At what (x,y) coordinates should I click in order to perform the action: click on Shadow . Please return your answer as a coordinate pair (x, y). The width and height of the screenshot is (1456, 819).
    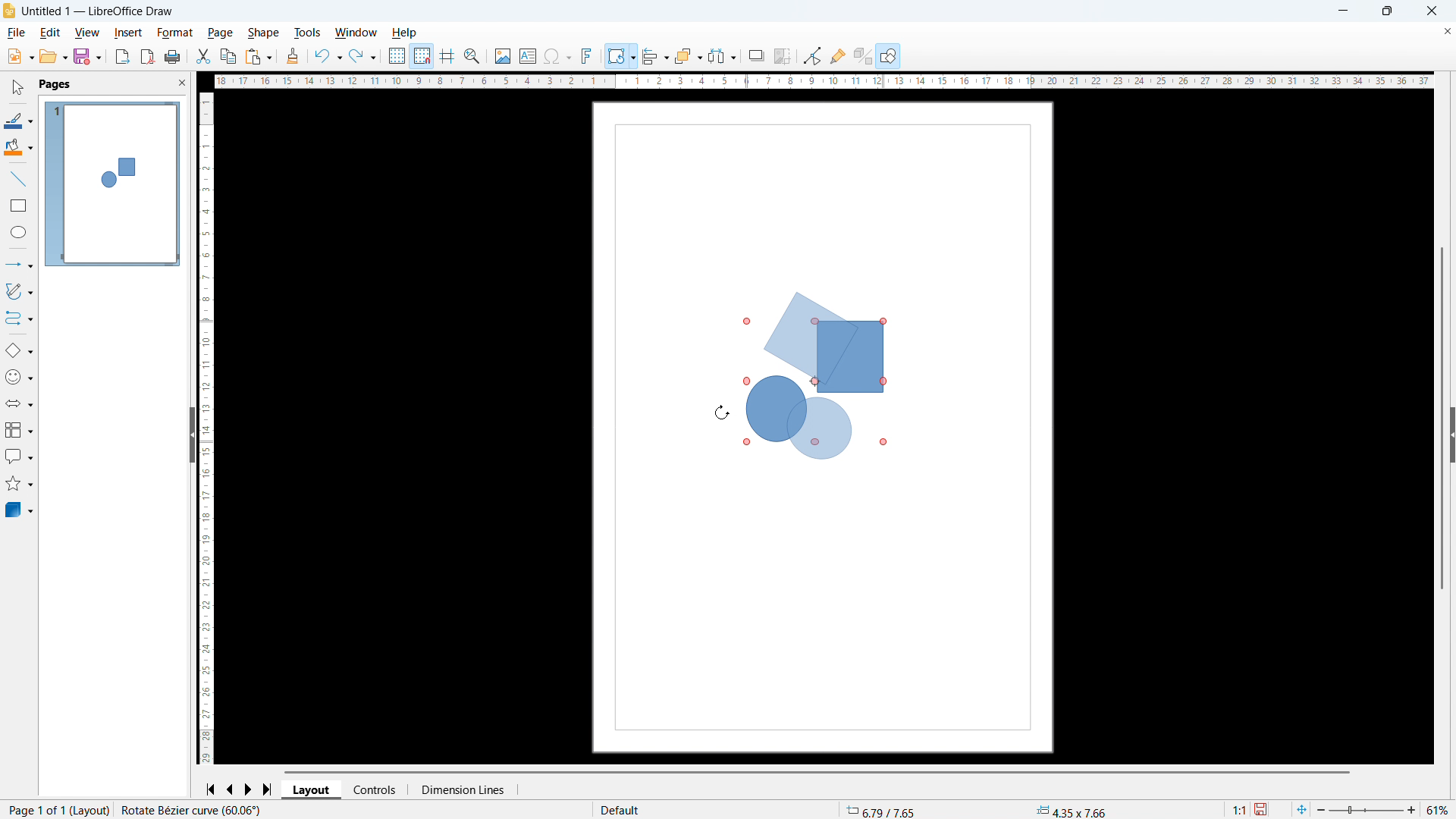
    Looking at the image, I should click on (756, 55).